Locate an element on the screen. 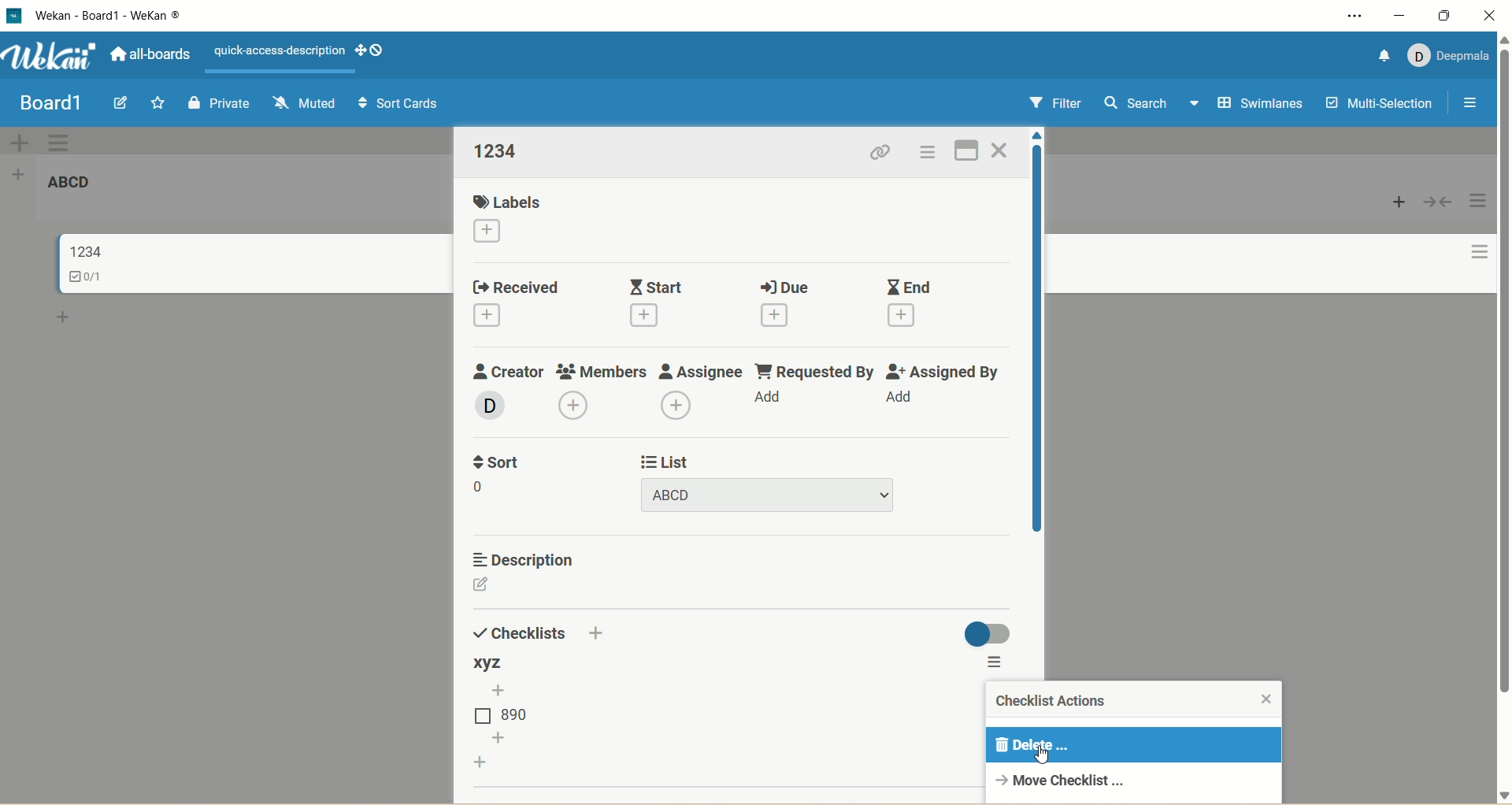 The height and width of the screenshot is (805, 1512). maximize is located at coordinates (1449, 14).